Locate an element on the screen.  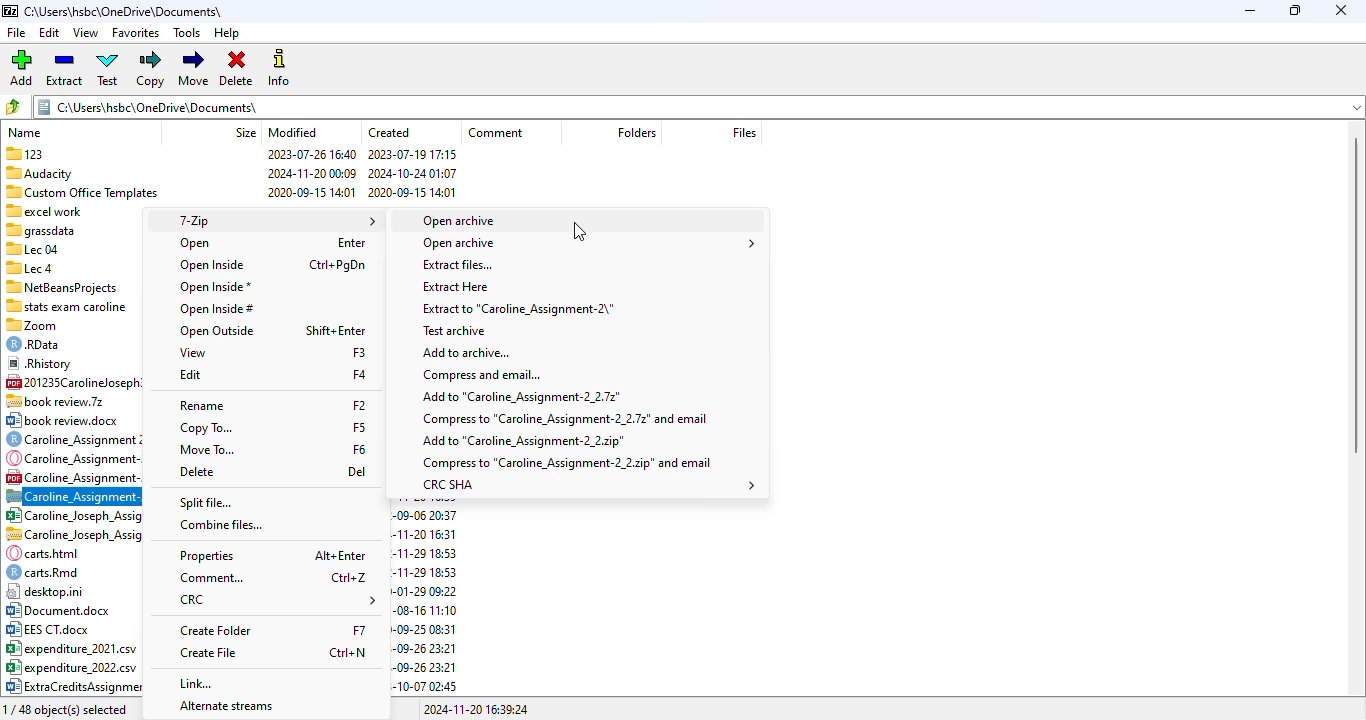
‘3 Custom Office Templates 2020-09-15 14:01 2020-09-15 14:01 is located at coordinates (230, 190).